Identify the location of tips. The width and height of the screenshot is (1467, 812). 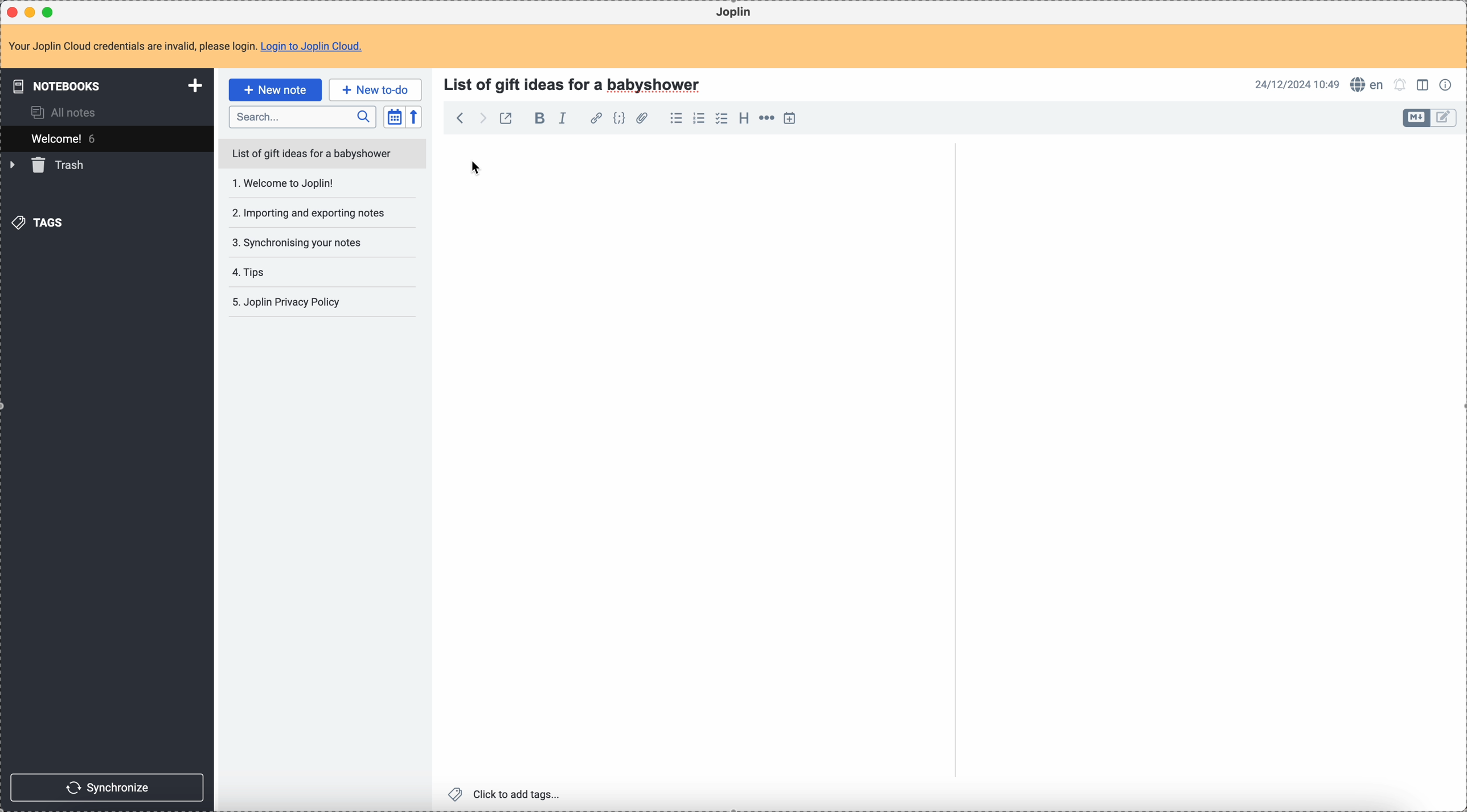
(284, 272).